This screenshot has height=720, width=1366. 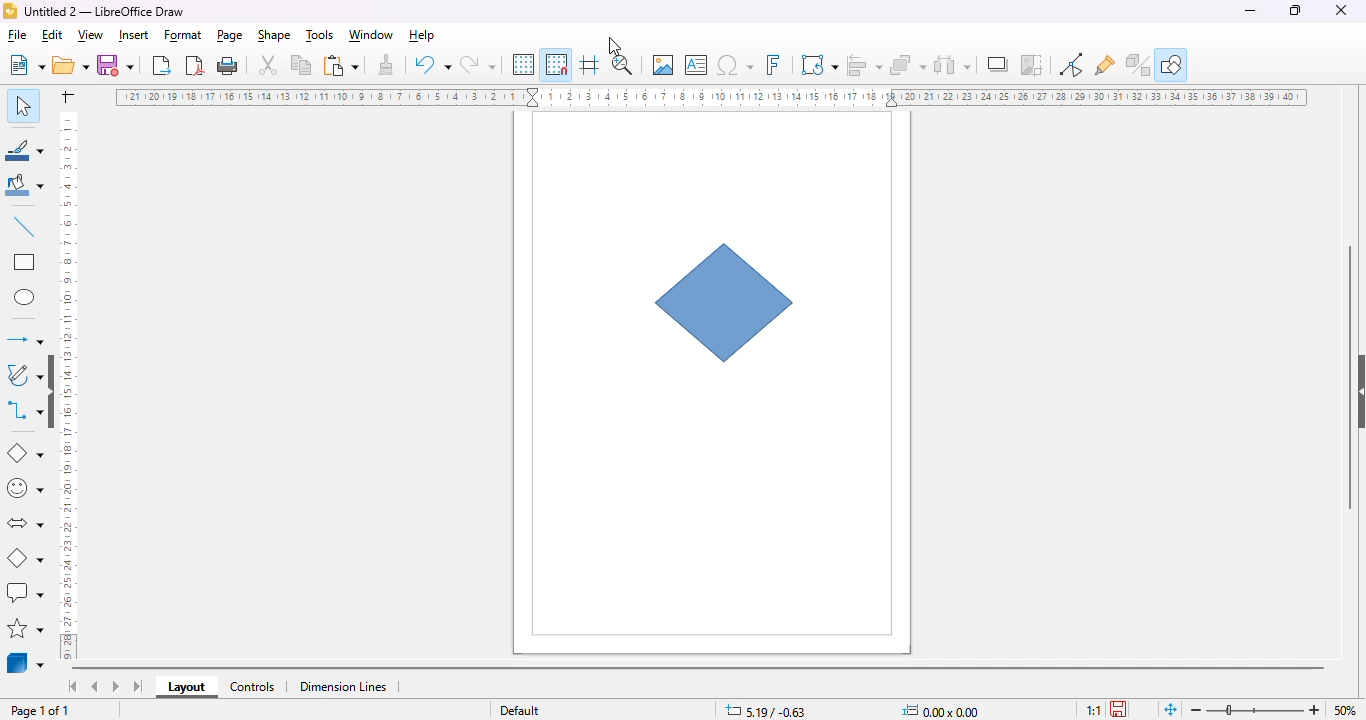 I want to click on layout, so click(x=189, y=687).